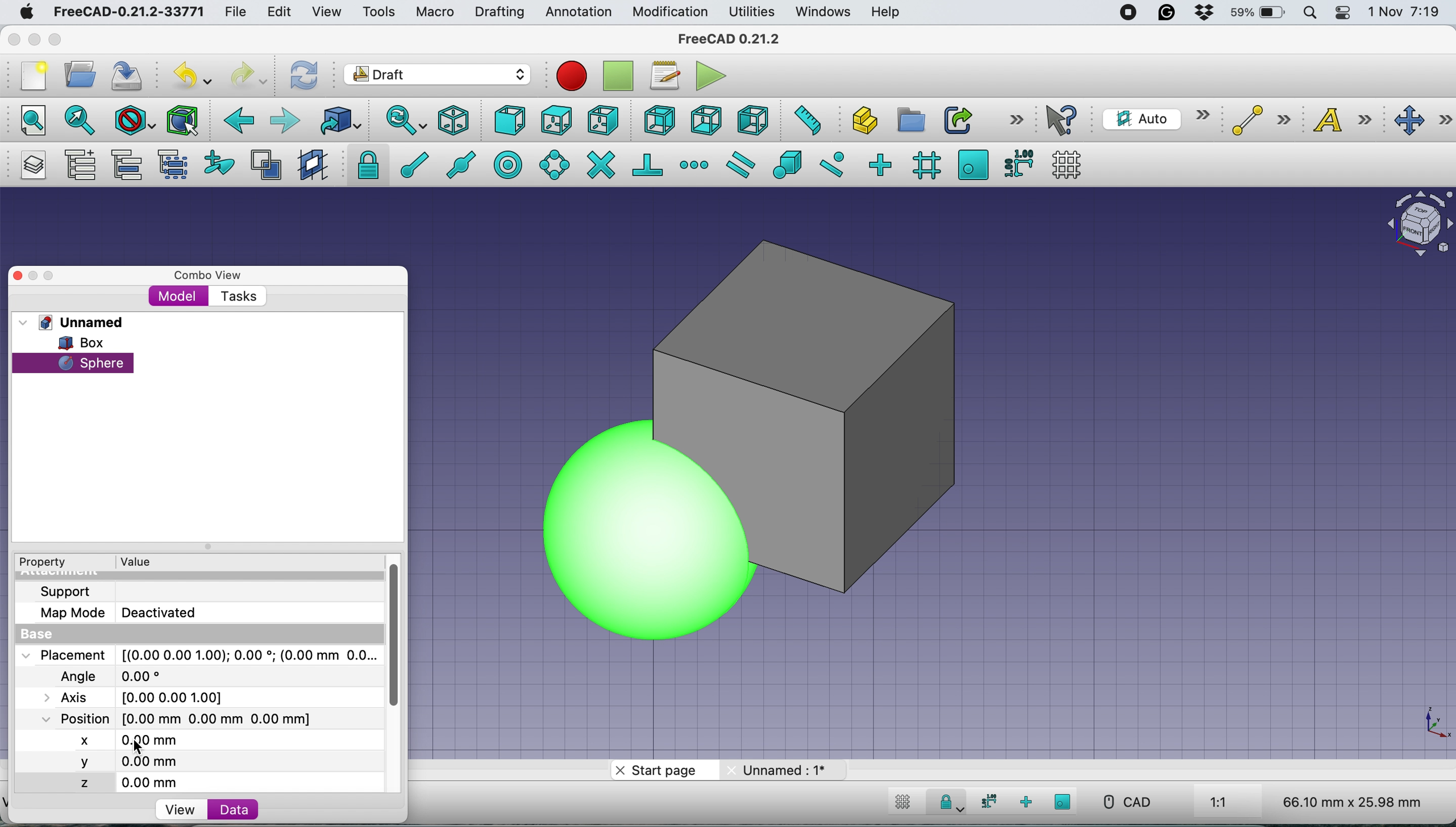 This screenshot has height=827, width=1456. Describe the element at coordinates (1063, 801) in the screenshot. I see `snap working plane` at that location.